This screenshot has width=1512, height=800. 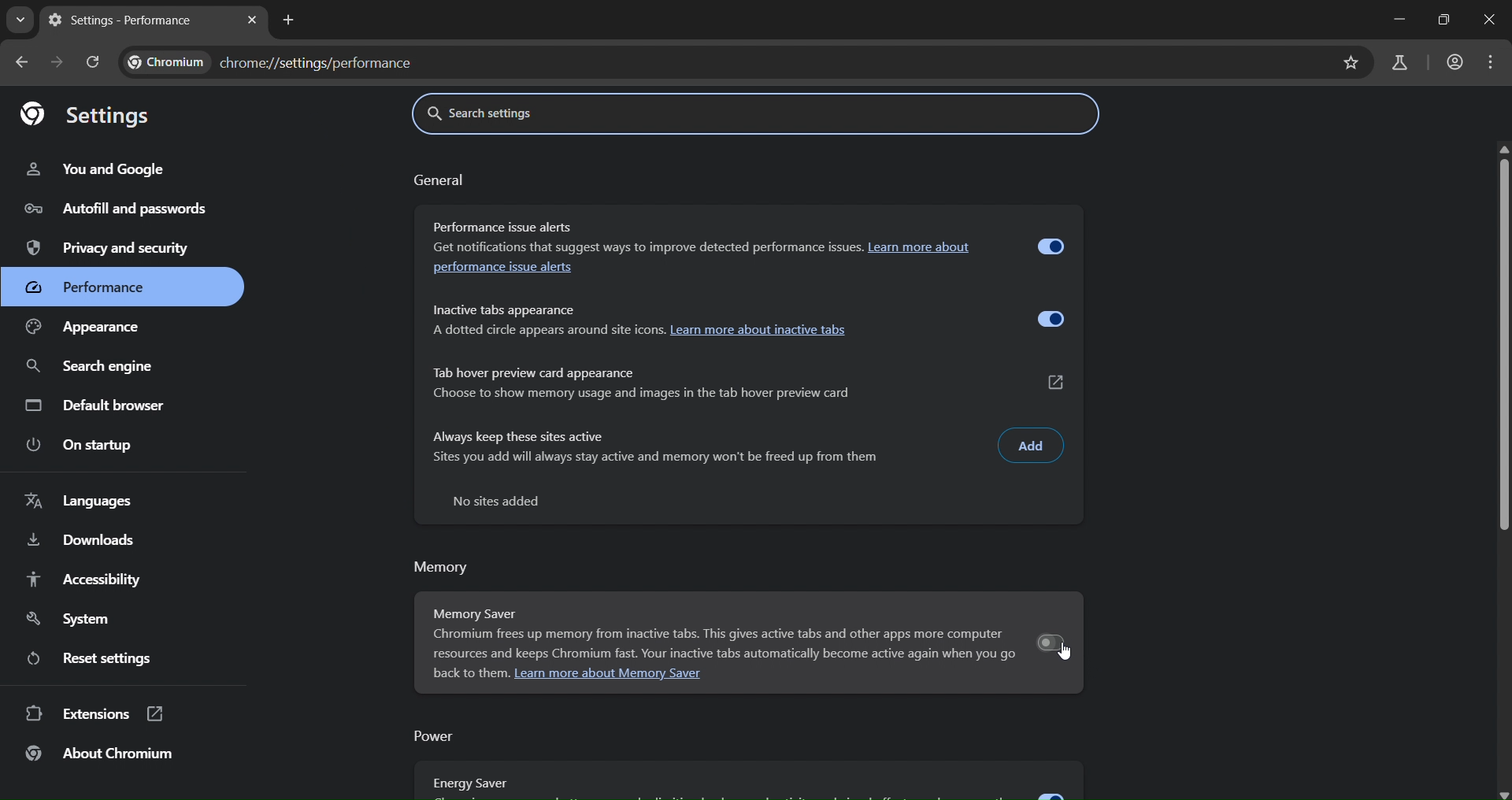 What do you see at coordinates (1054, 642) in the screenshot?
I see `enable/disable` at bounding box center [1054, 642].